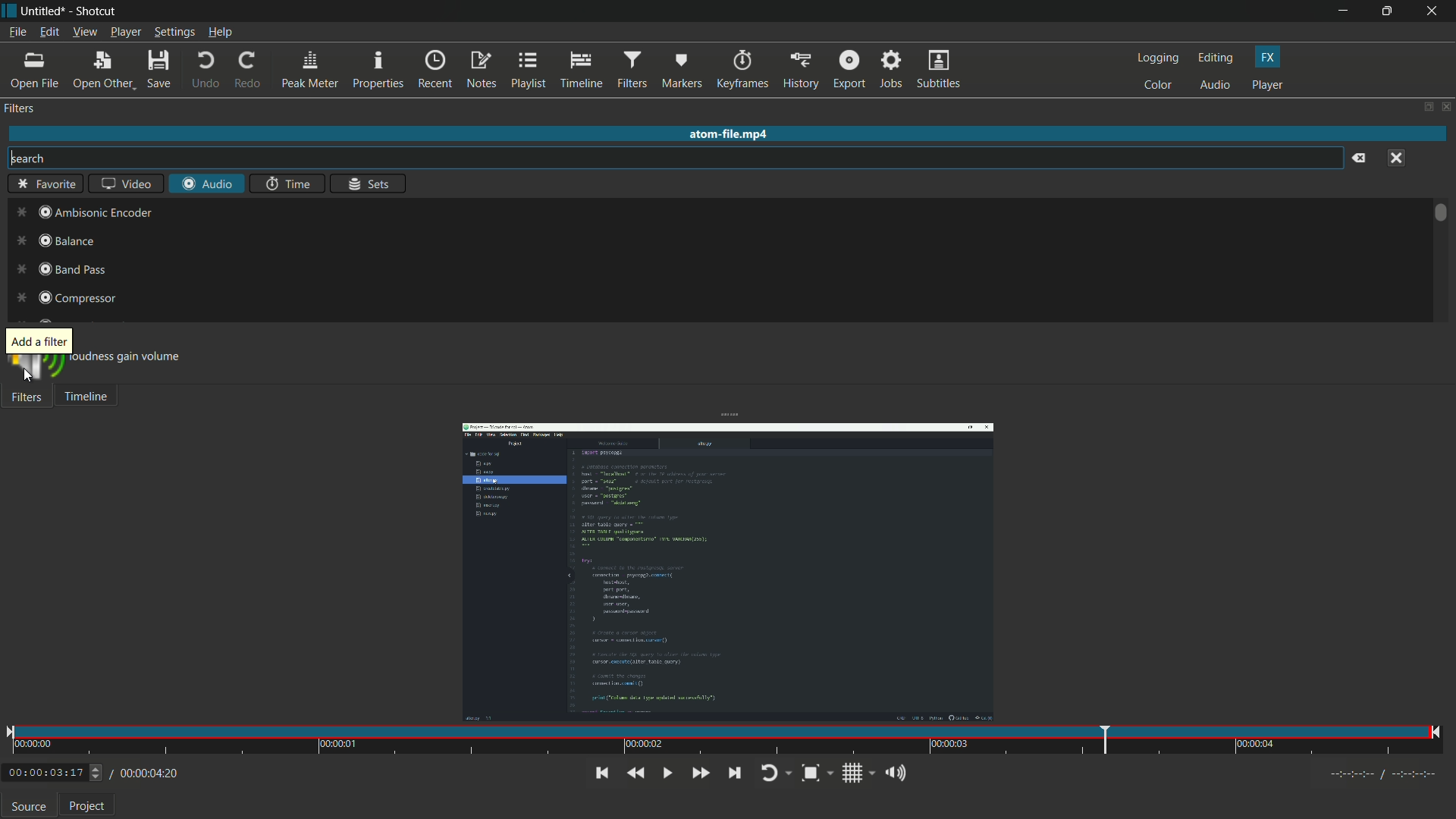  What do you see at coordinates (1385, 777) in the screenshot?
I see `Timecodes` at bounding box center [1385, 777].